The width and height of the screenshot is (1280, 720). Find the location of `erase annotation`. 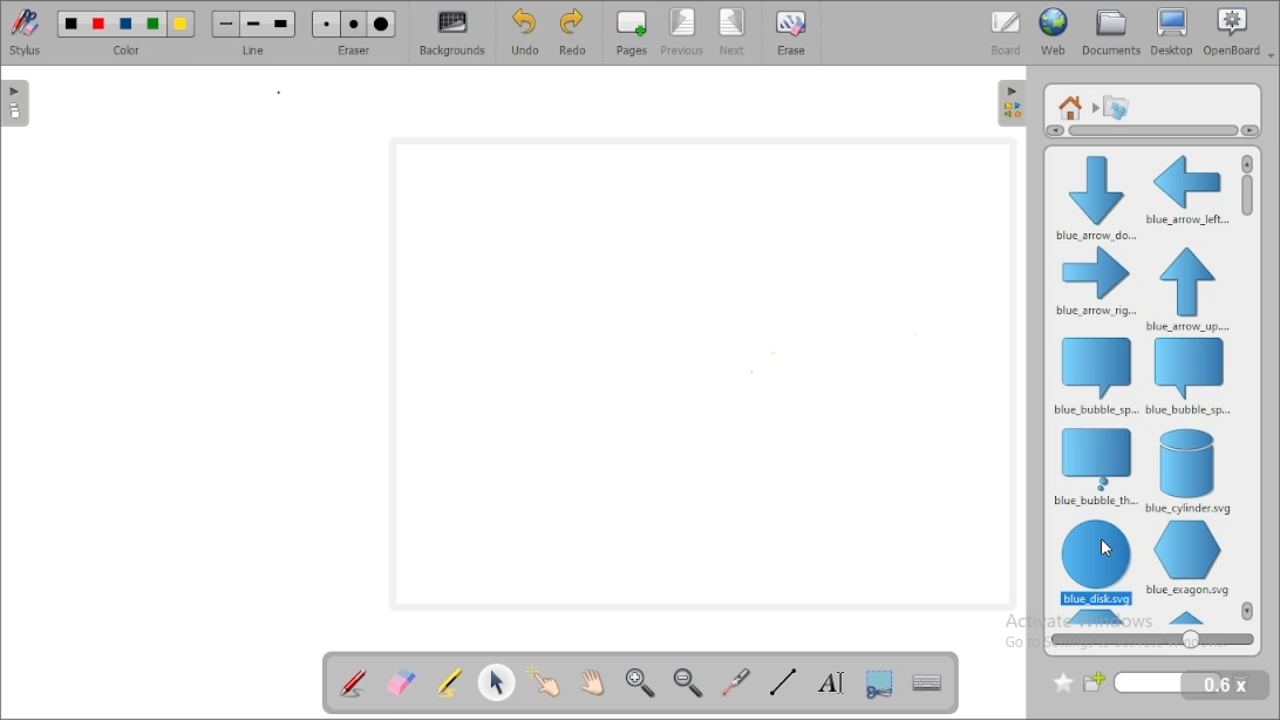

erase annotation is located at coordinates (402, 681).